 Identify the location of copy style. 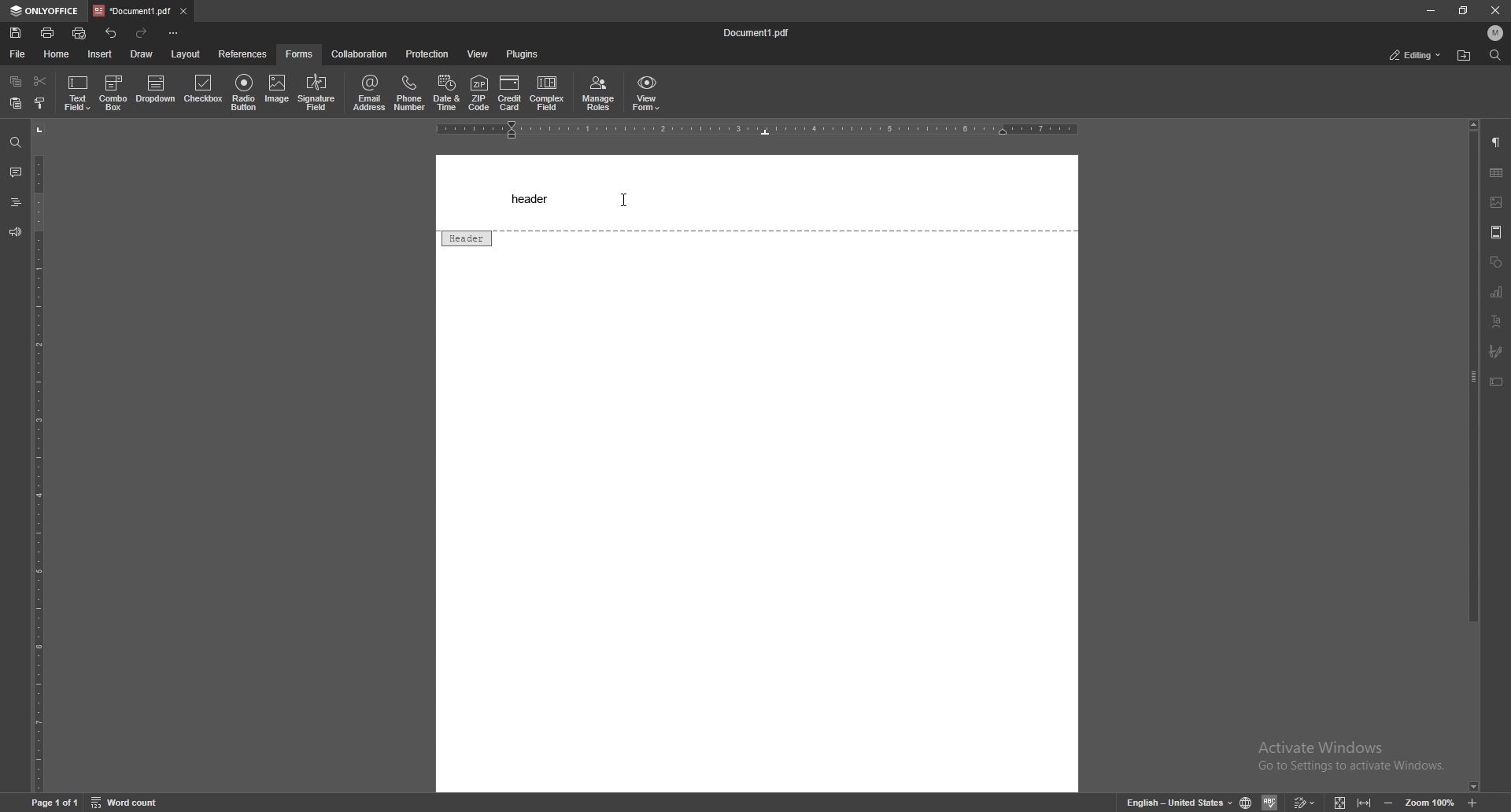
(41, 104).